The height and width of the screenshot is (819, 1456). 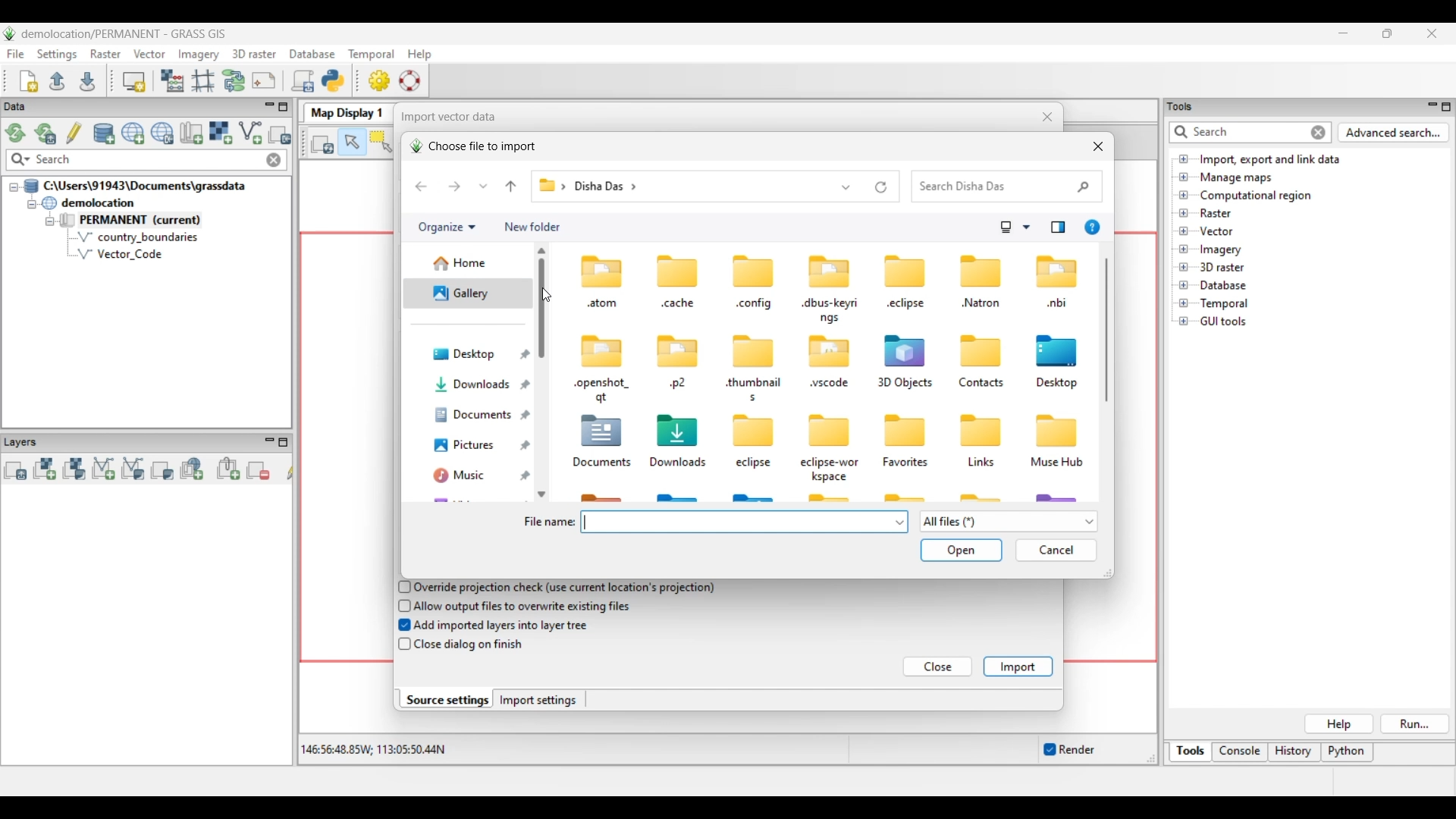 What do you see at coordinates (604, 349) in the screenshot?
I see `icon` at bounding box center [604, 349].